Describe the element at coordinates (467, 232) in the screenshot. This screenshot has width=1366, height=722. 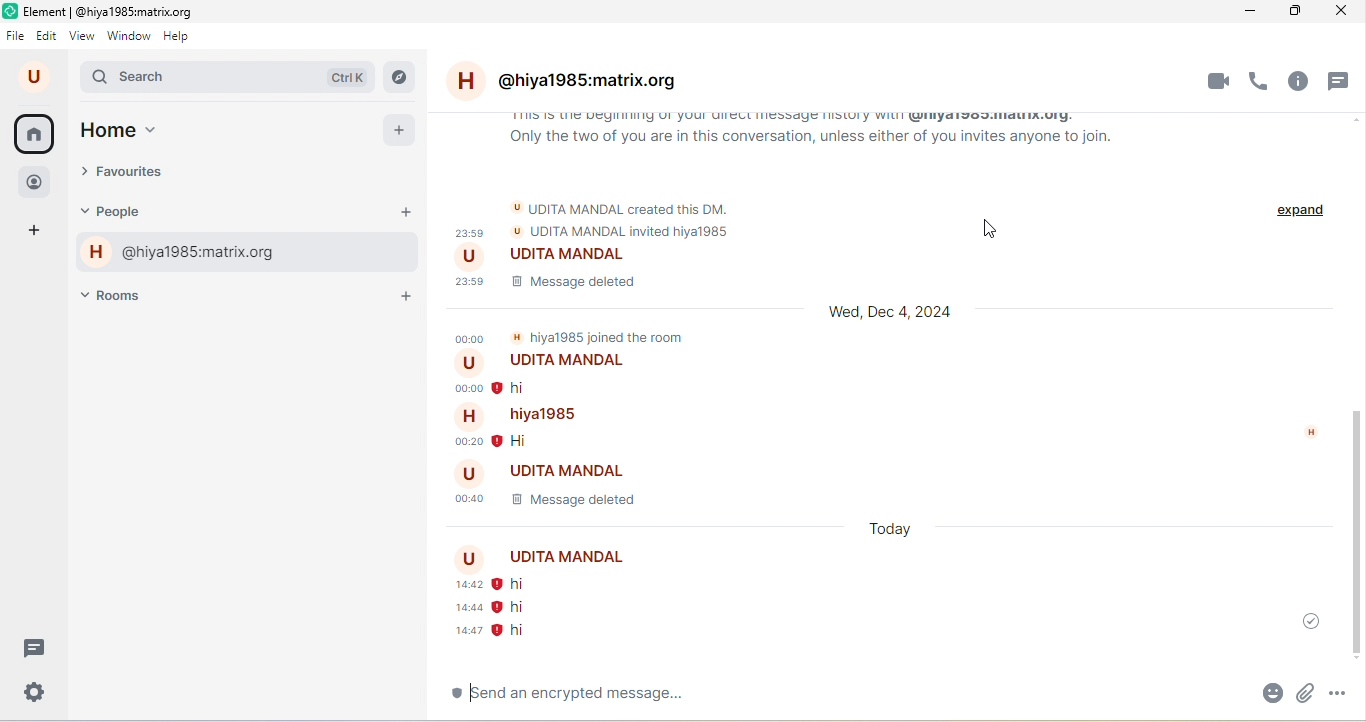
I see `23.59` at that location.